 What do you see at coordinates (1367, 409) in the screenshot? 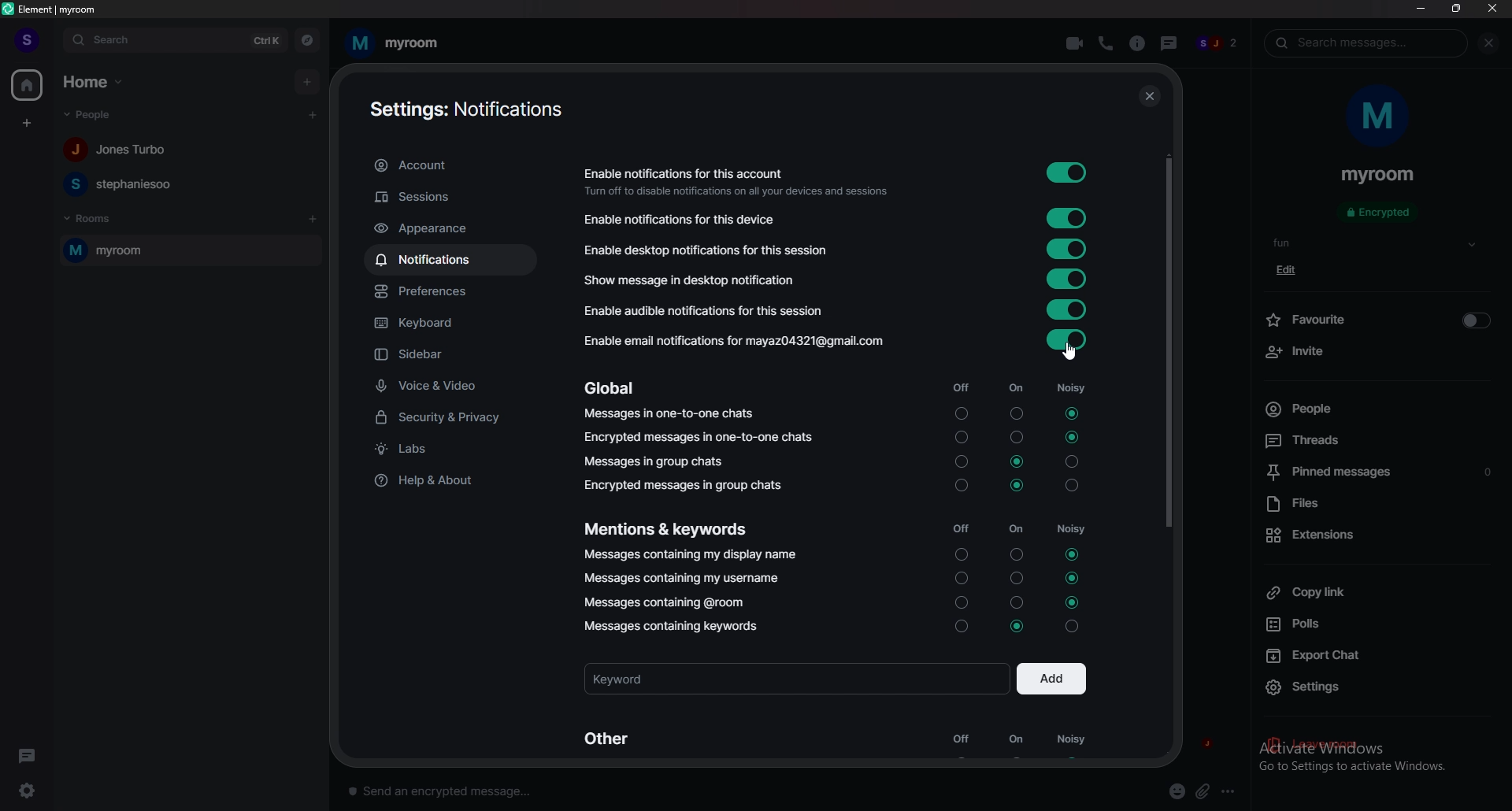
I see `people` at bounding box center [1367, 409].